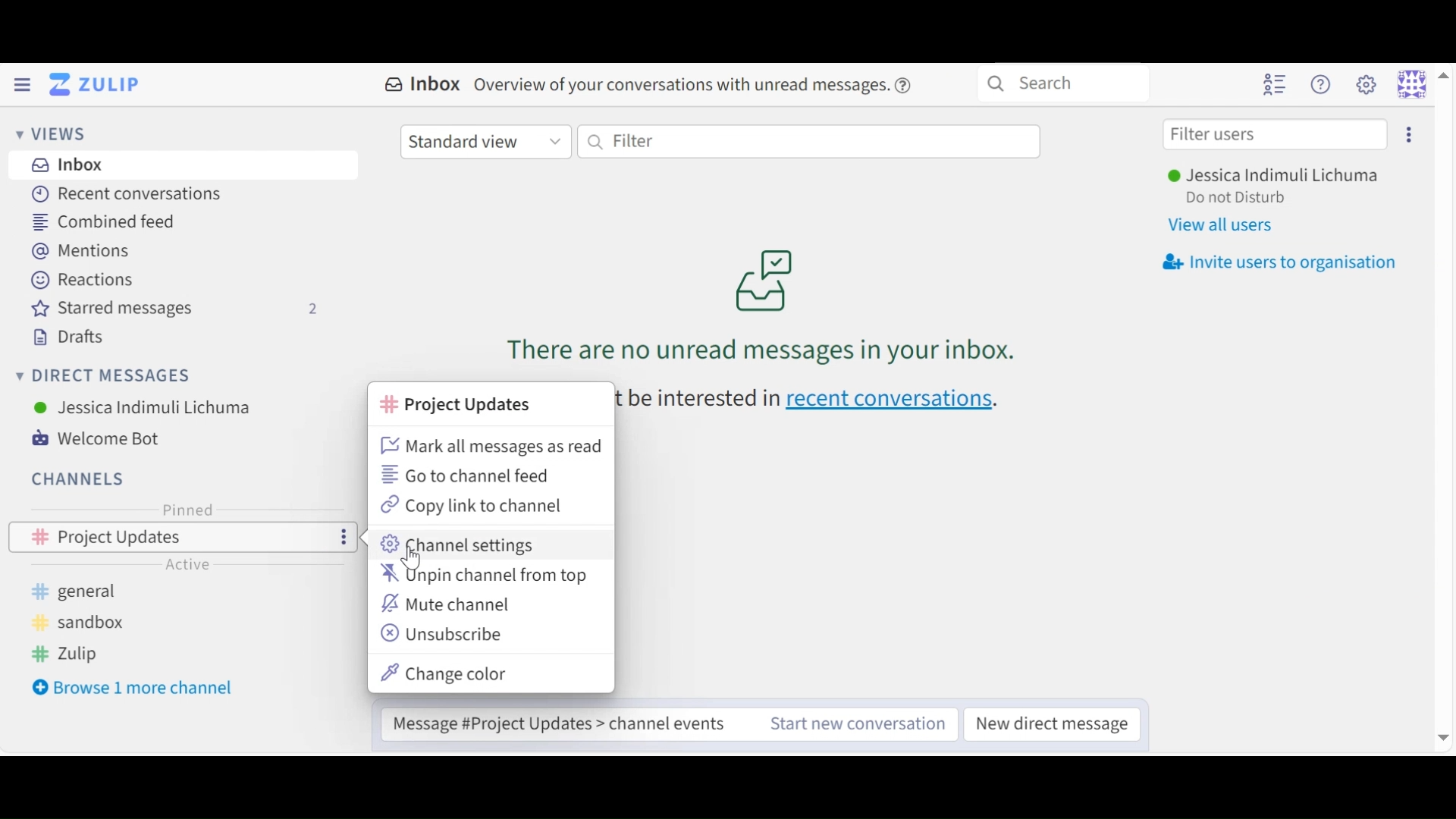 The image size is (1456, 819). Describe the element at coordinates (442, 634) in the screenshot. I see `Unsubscribe` at that location.